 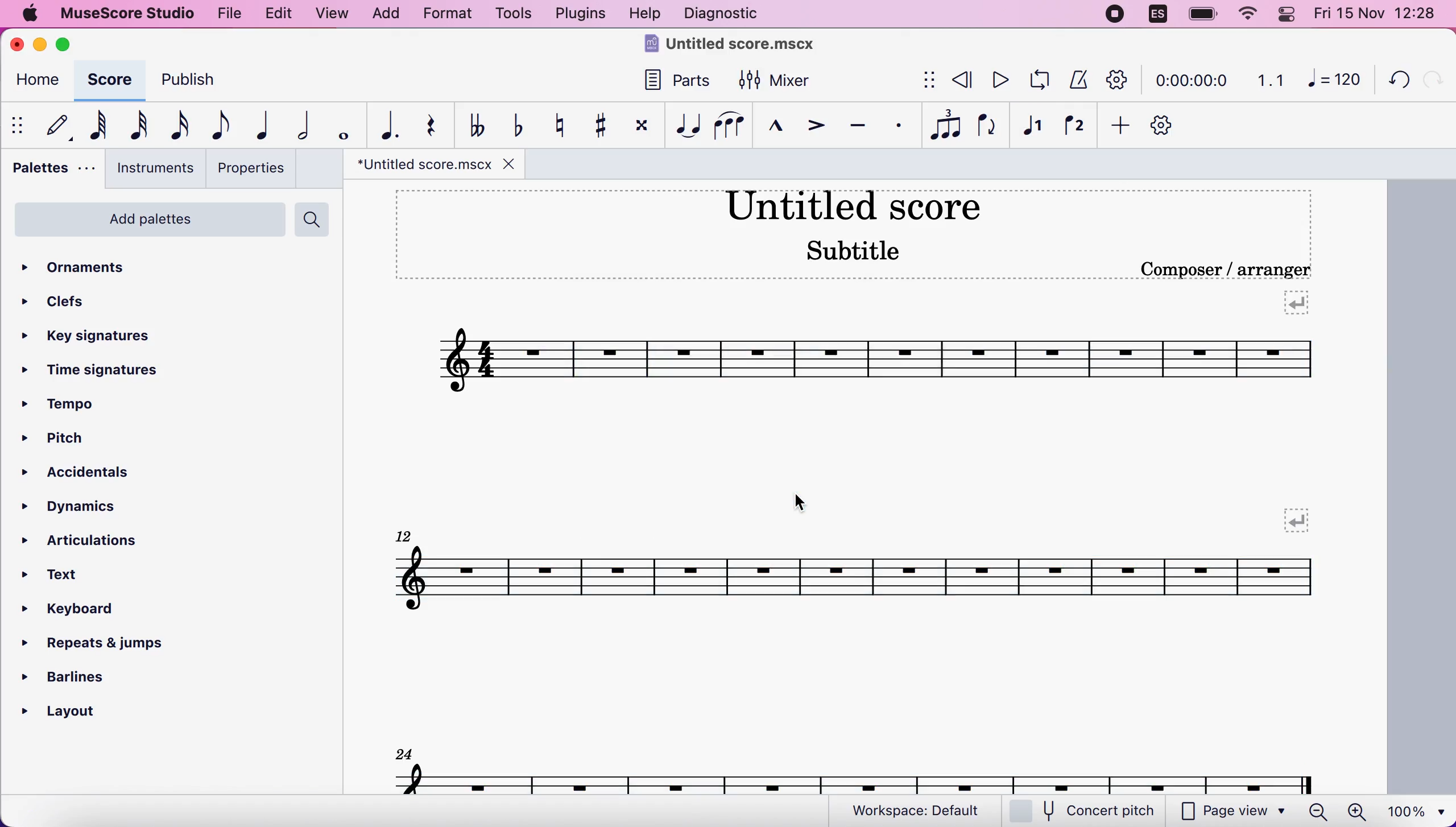 I want to click on tempo, so click(x=69, y=406).